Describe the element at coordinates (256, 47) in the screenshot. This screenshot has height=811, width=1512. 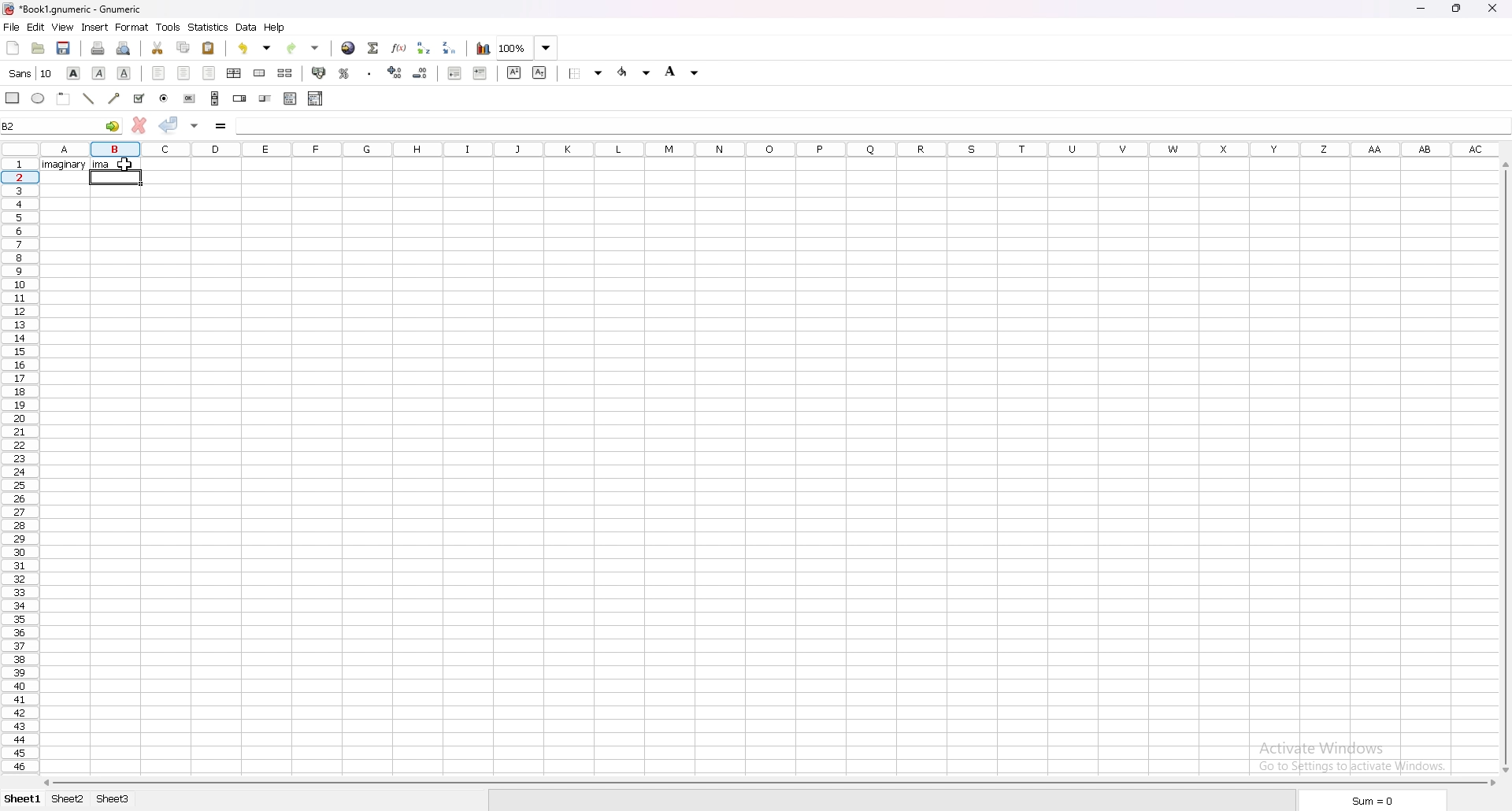
I see `unod` at that location.